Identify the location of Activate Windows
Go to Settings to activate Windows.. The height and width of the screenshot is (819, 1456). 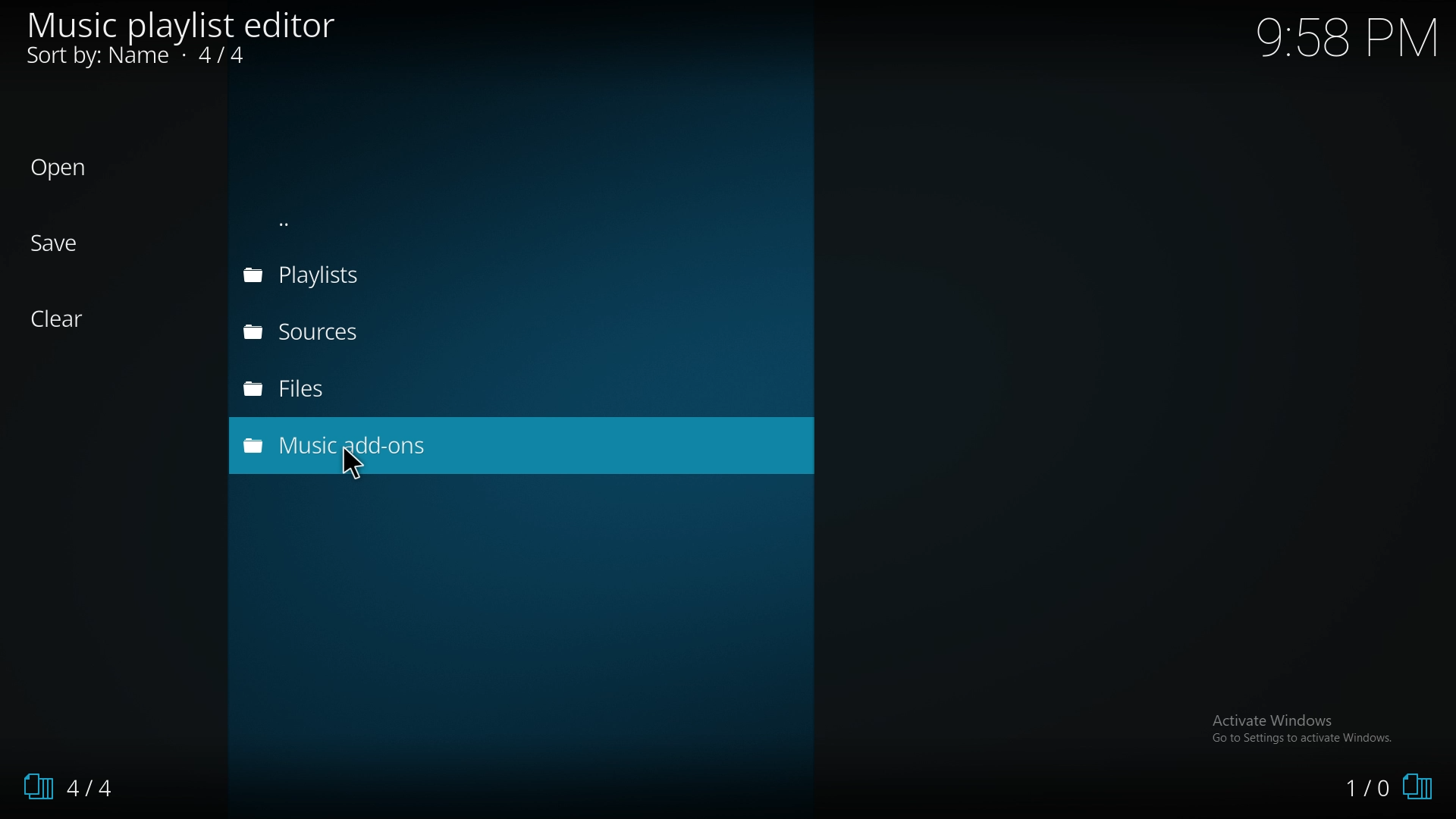
(1304, 728).